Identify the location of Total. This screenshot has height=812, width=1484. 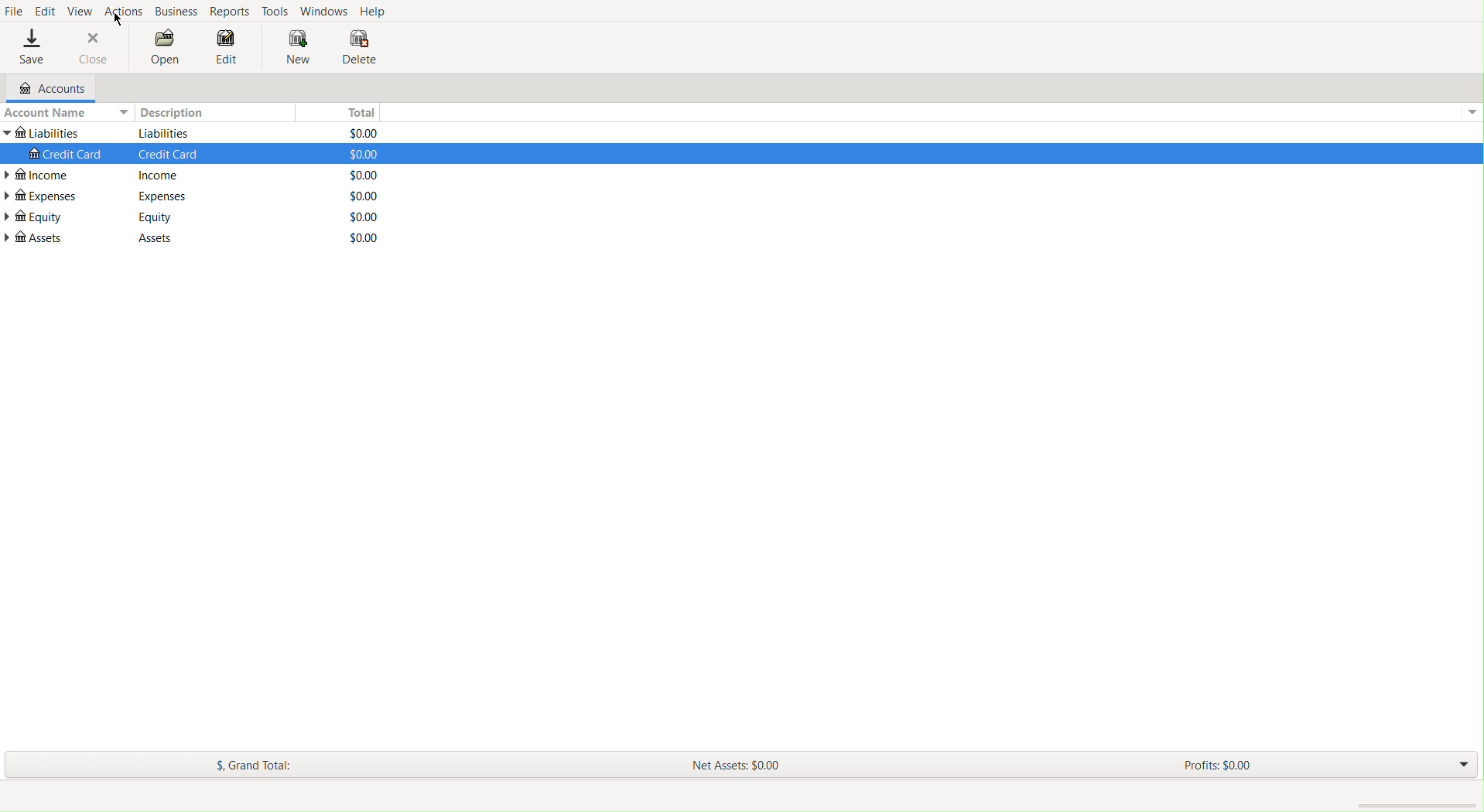
(365, 194).